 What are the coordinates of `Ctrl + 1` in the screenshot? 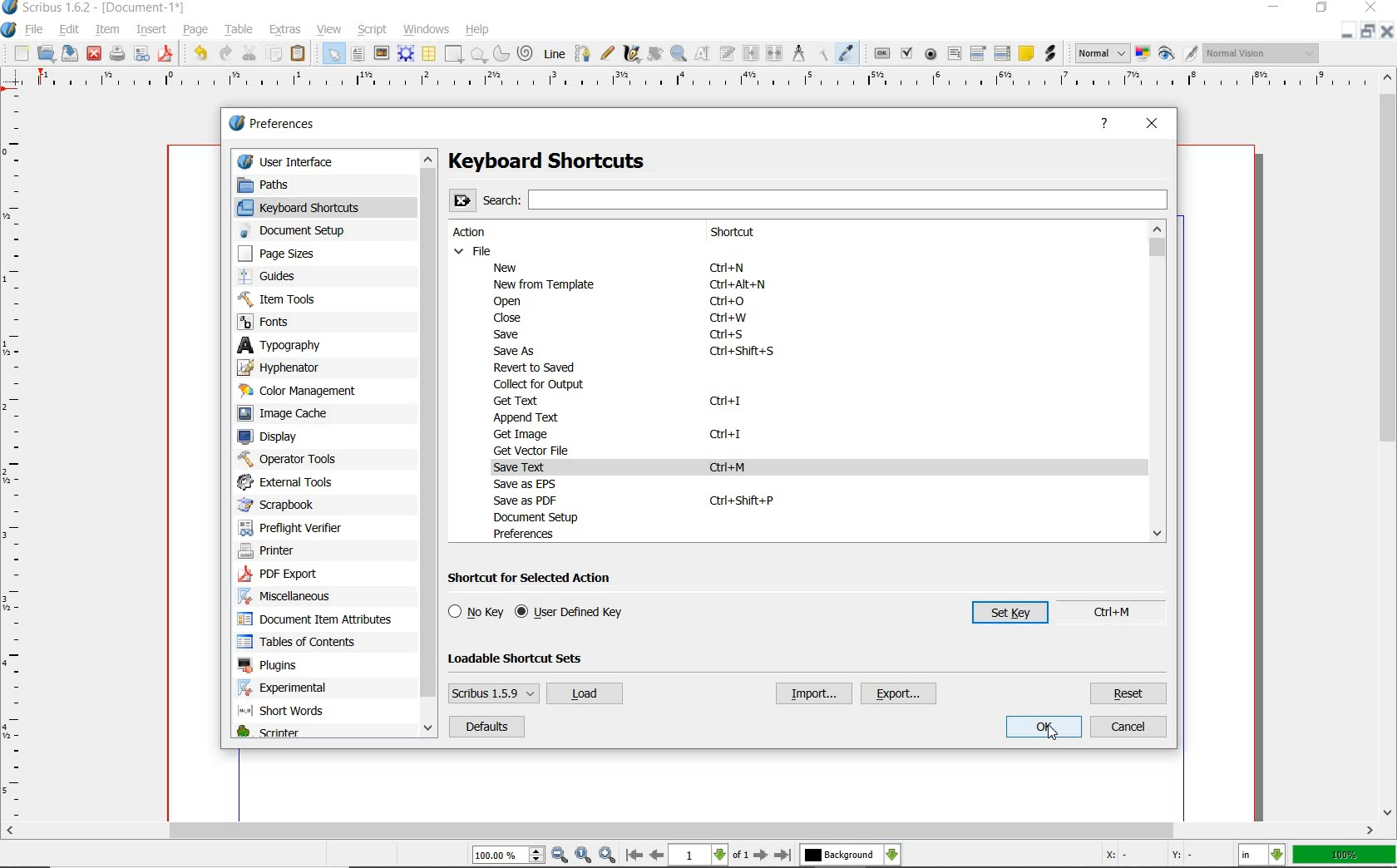 It's located at (727, 435).